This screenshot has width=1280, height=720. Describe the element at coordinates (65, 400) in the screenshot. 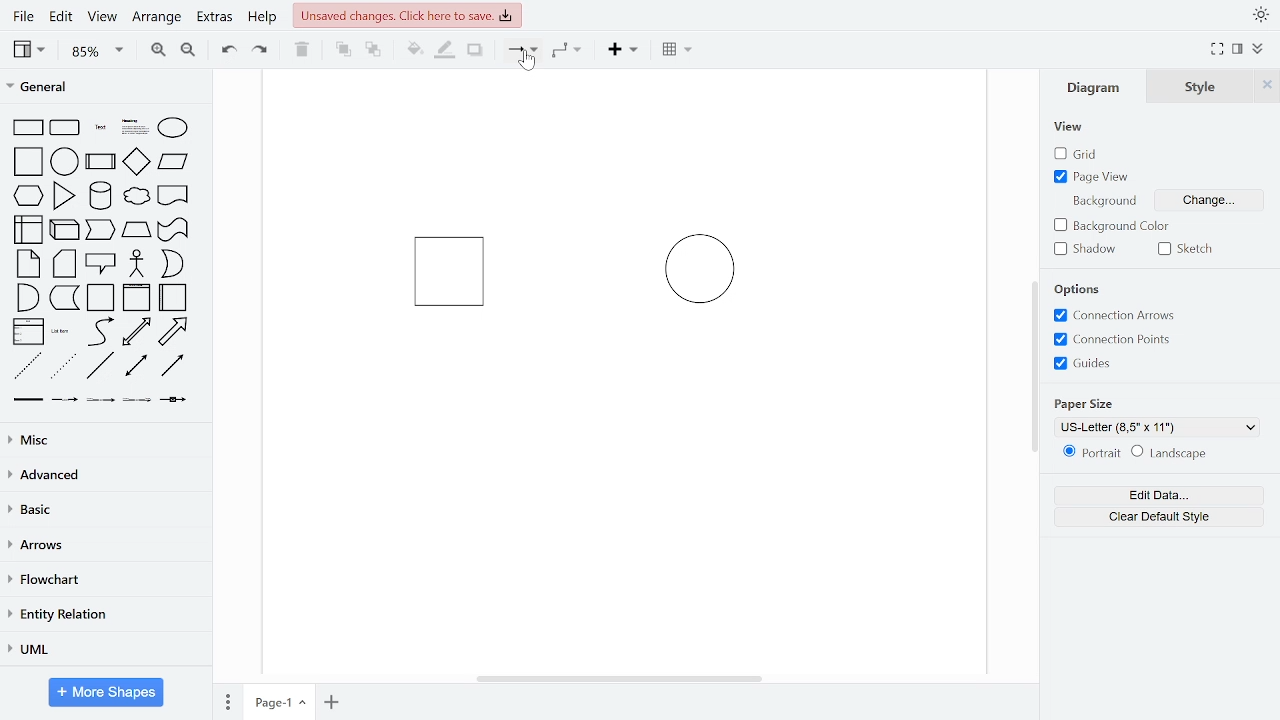

I see `connector with label` at that location.